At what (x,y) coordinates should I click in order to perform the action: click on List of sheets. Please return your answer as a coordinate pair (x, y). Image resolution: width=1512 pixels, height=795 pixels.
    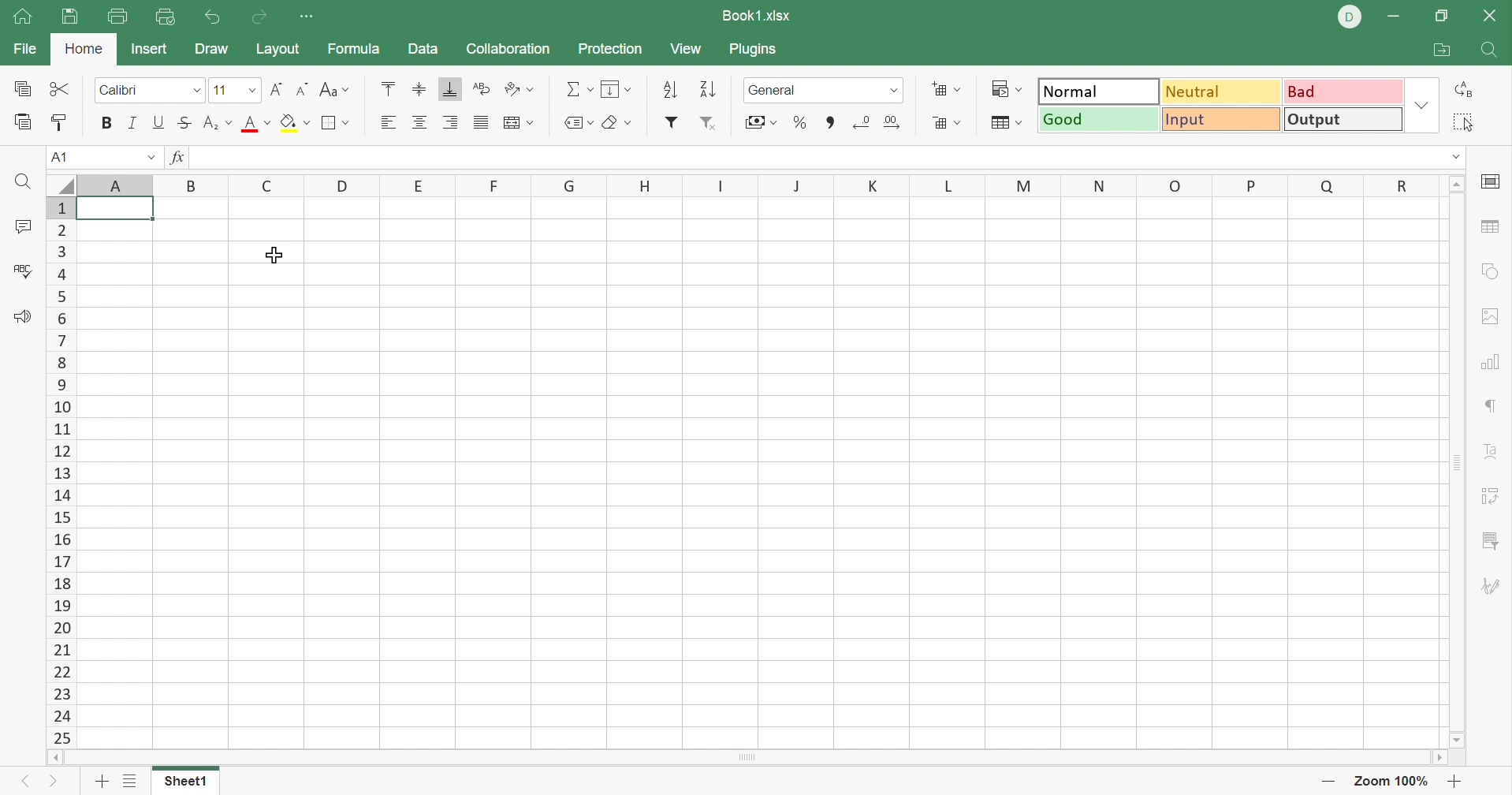
    Looking at the image, I should click on (131, 781).